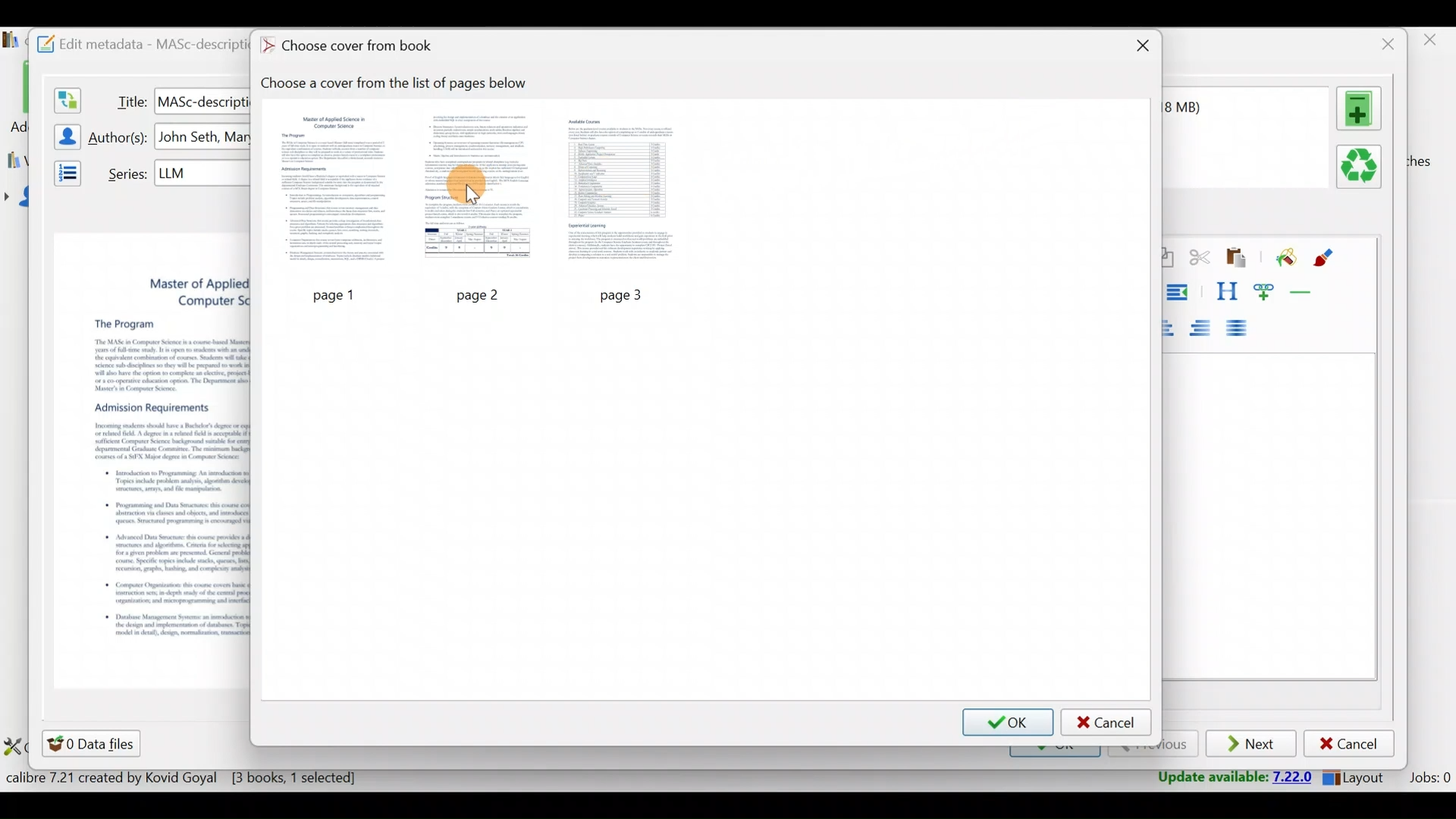 This screenshot has height=819, width=1456. Describe the element at coordinates (1106, 722) in the screenshot. I see `cancel` at that location.